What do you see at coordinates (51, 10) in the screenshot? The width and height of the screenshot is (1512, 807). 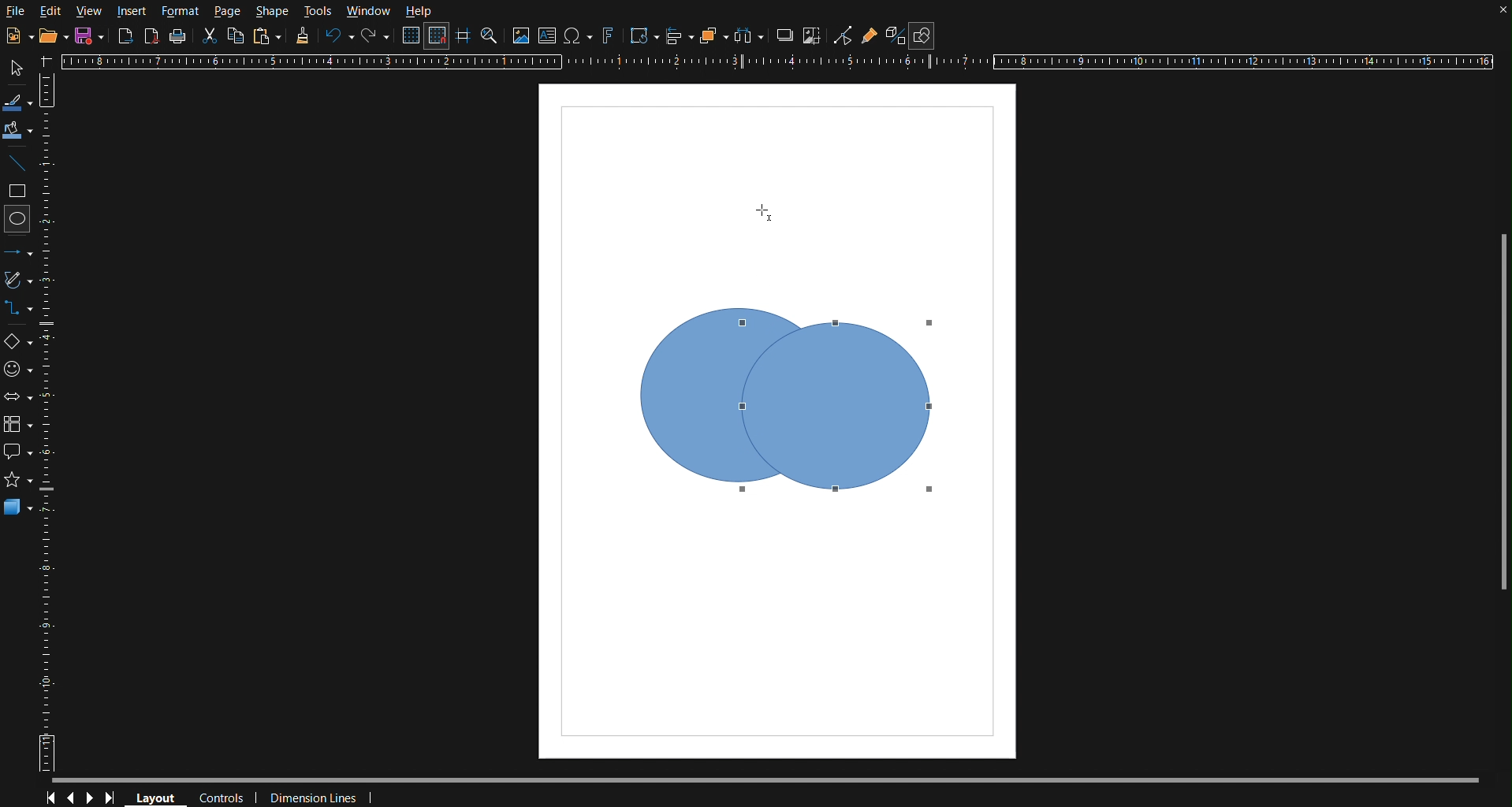 I see `Edit` at bounding box center [51, 10].